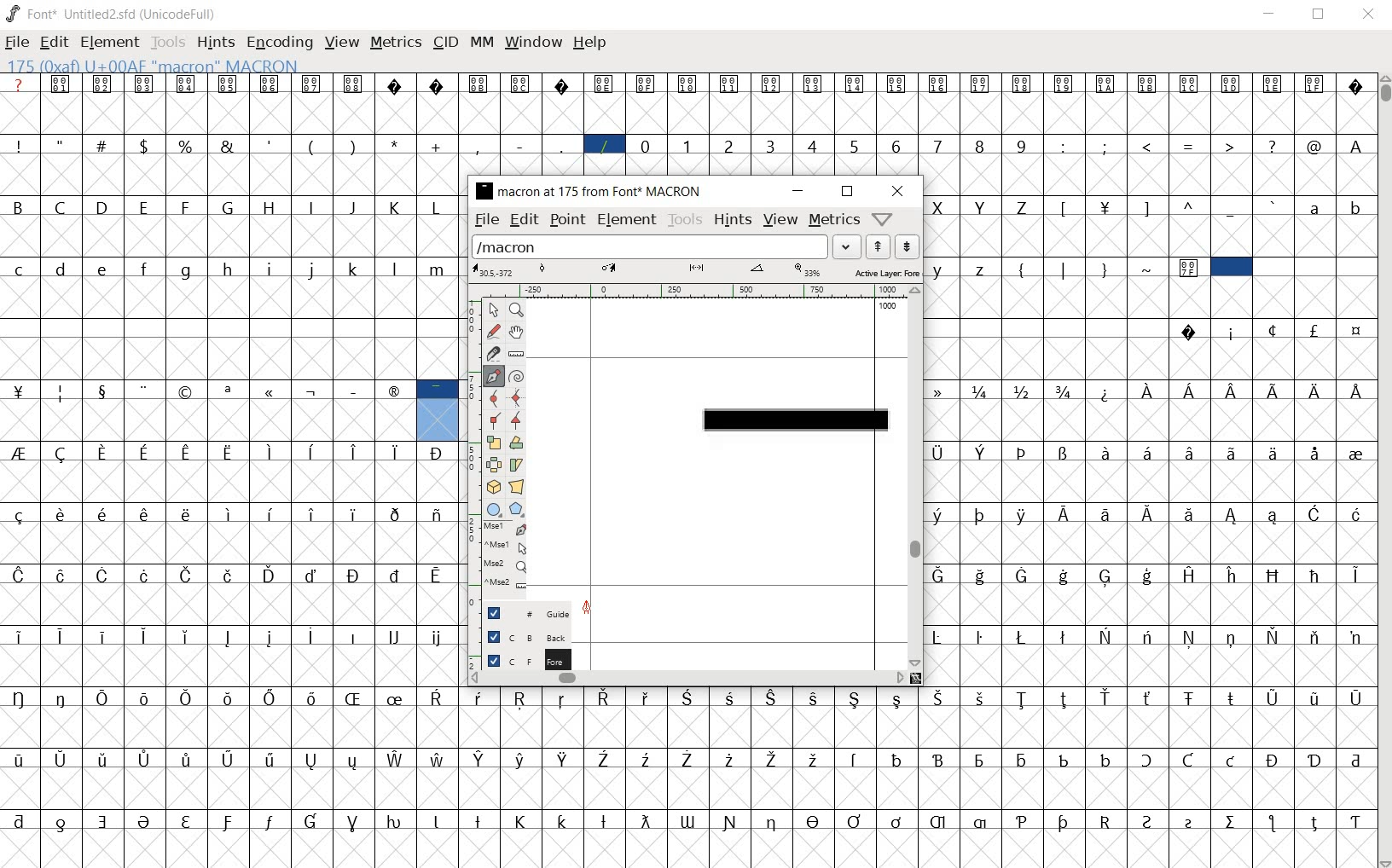 This screenshot has width=1392, height=868. I want to click on Symbol, so click(1274, 390).